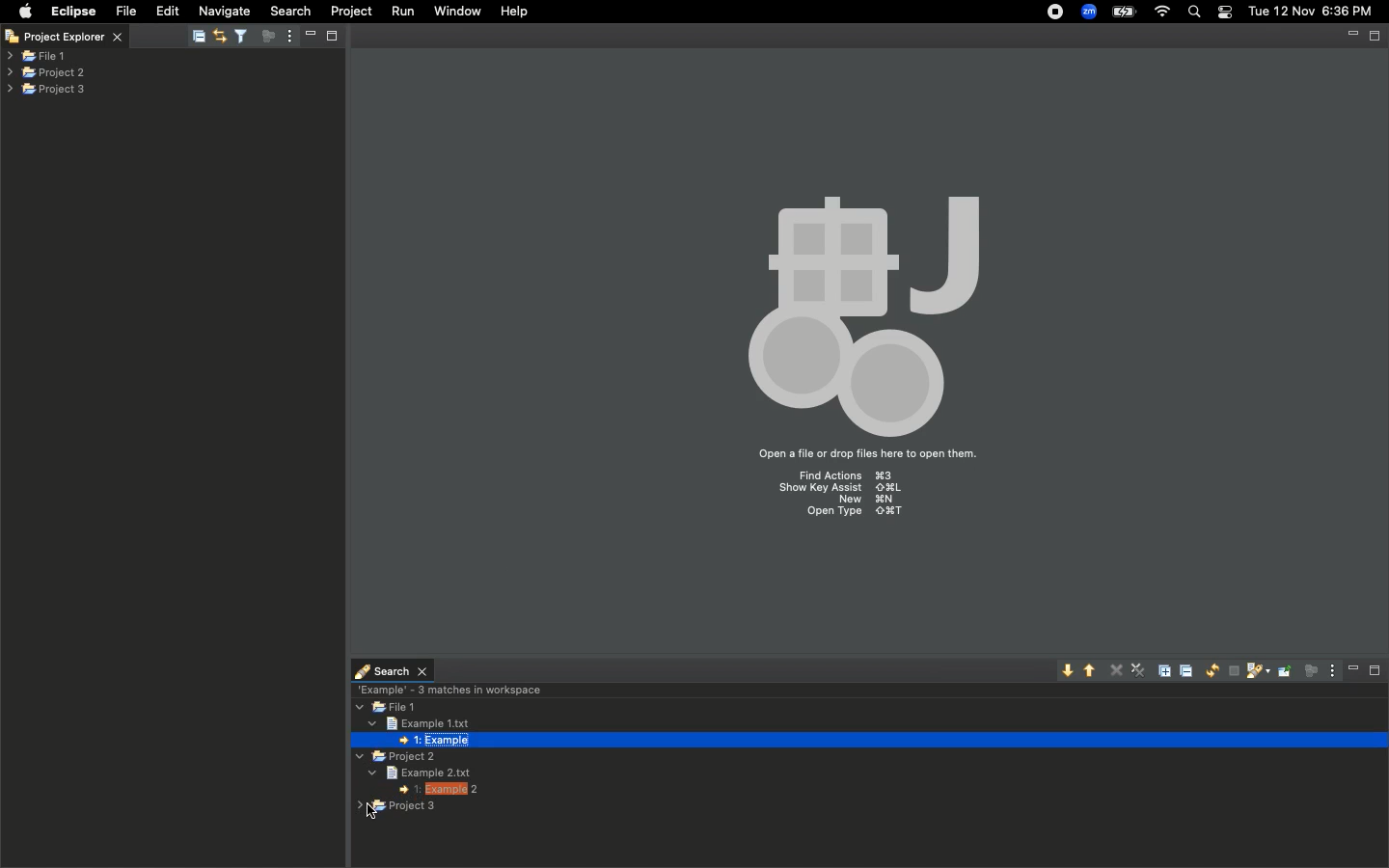  Describe the element at coordinates (1376, 36) in the screenshot. I see `Maximize` at that location.